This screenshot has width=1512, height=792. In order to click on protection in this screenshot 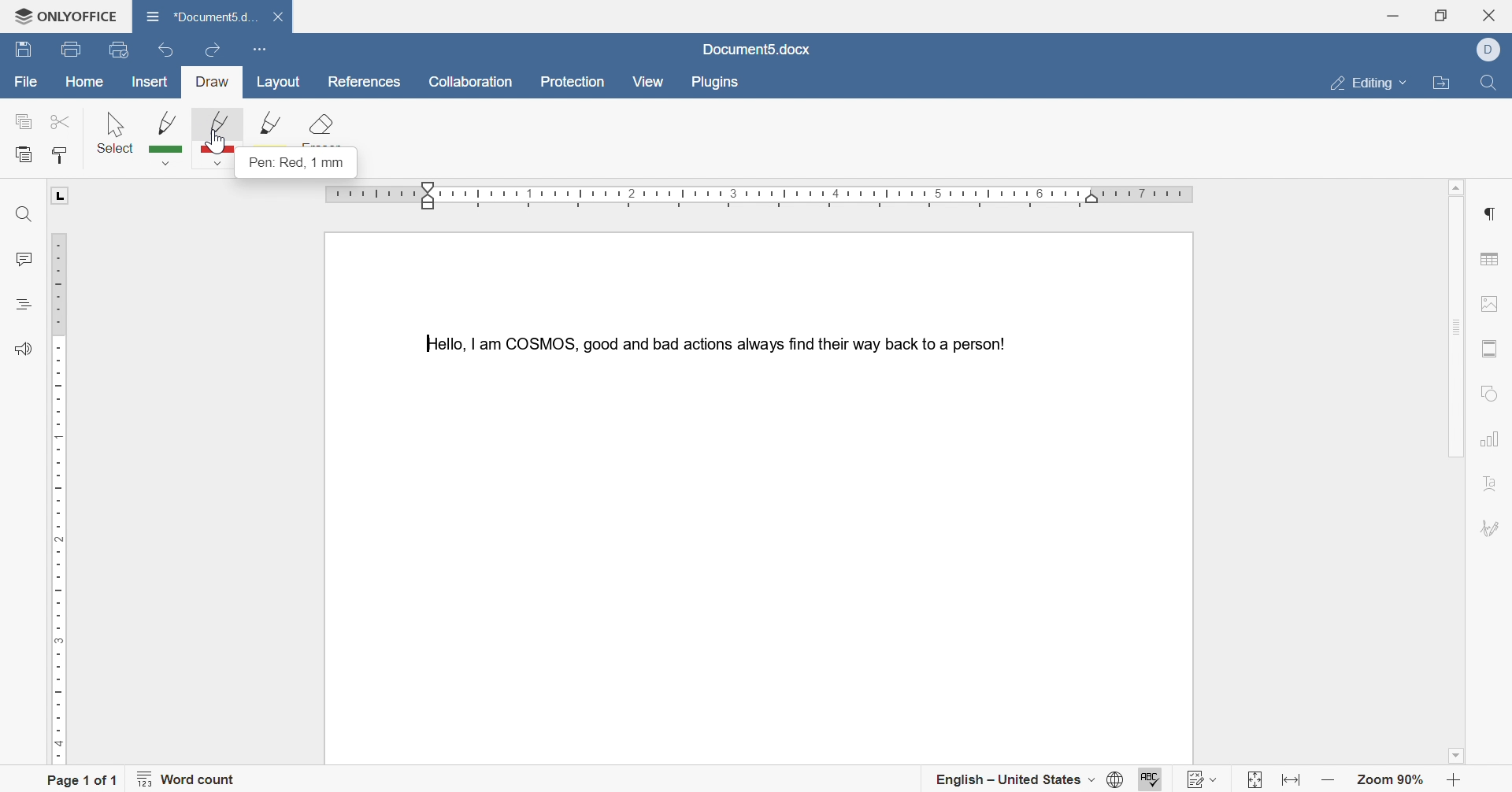, I will do `click(576, 83)`.